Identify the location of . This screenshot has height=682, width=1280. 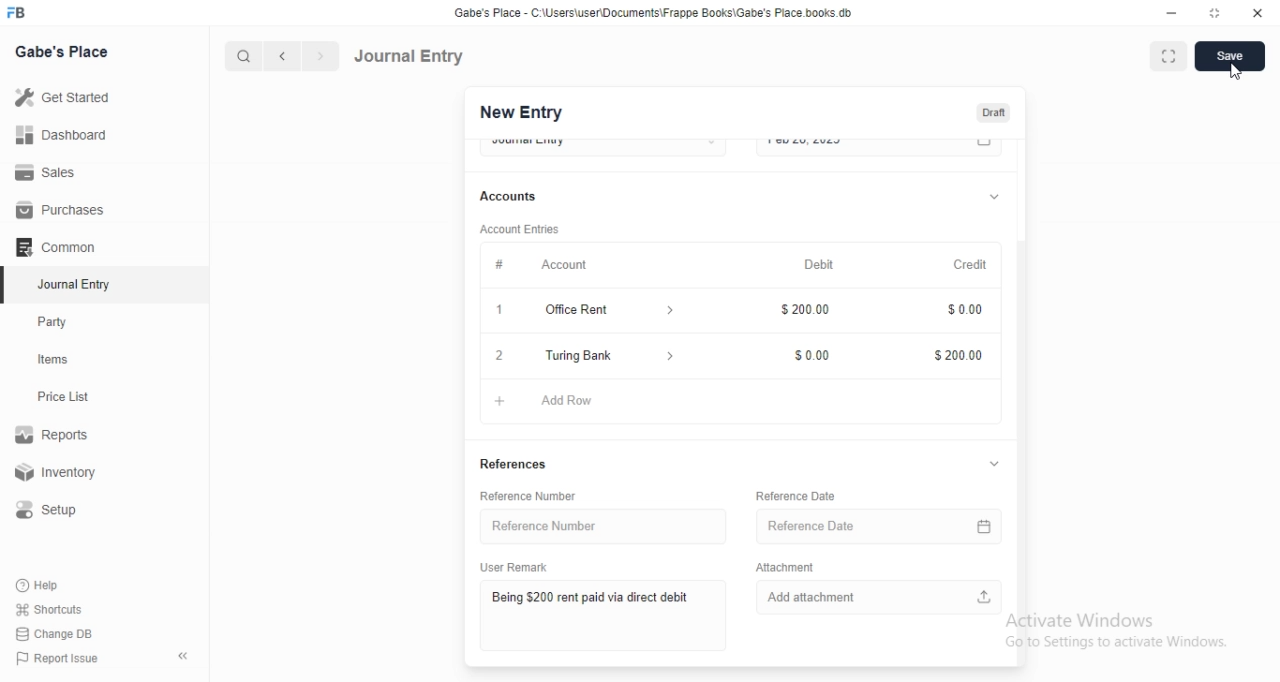
(500, 264).